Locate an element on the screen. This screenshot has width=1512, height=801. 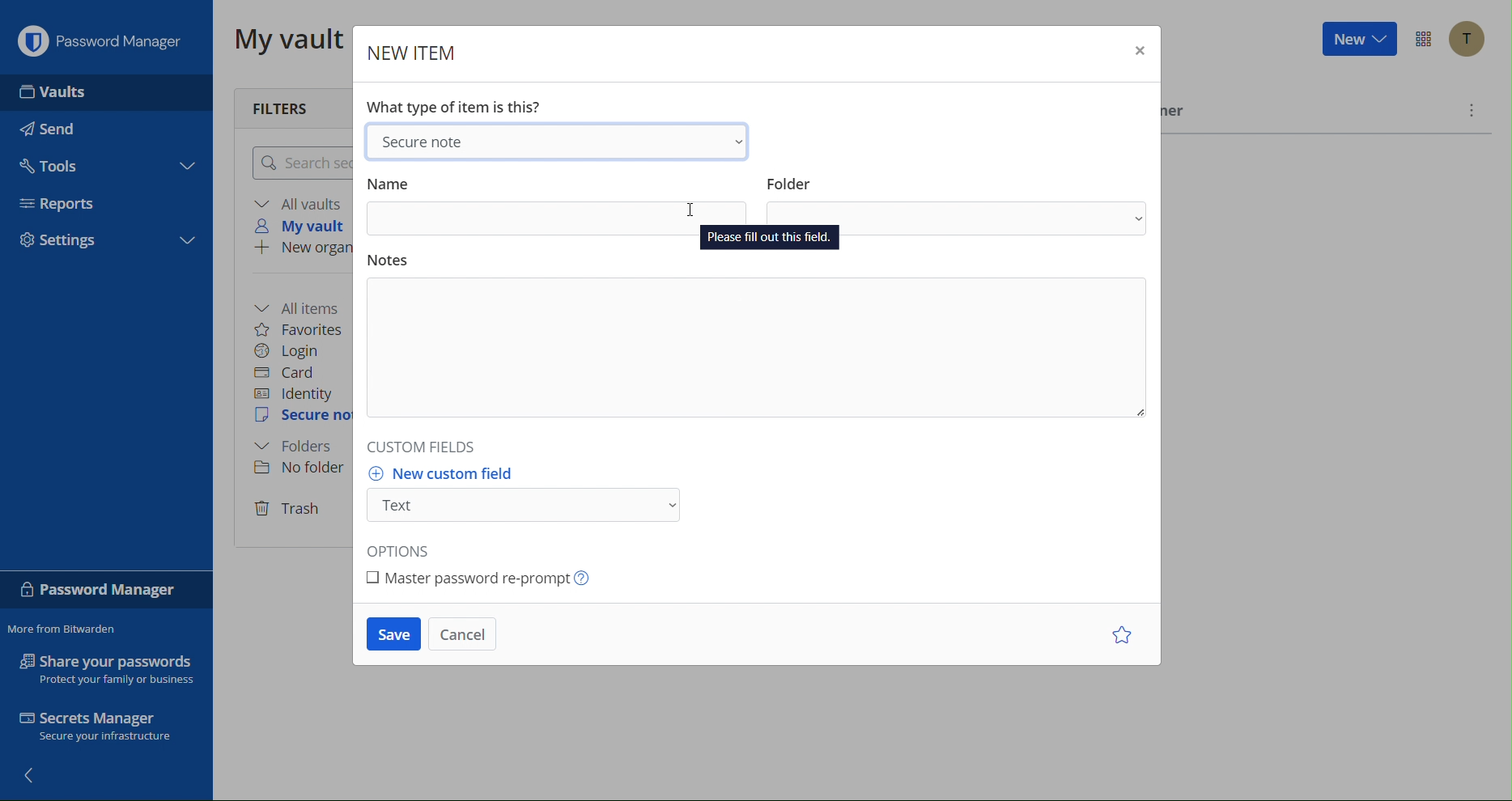
All vaults is located at coordinates (299, 203).